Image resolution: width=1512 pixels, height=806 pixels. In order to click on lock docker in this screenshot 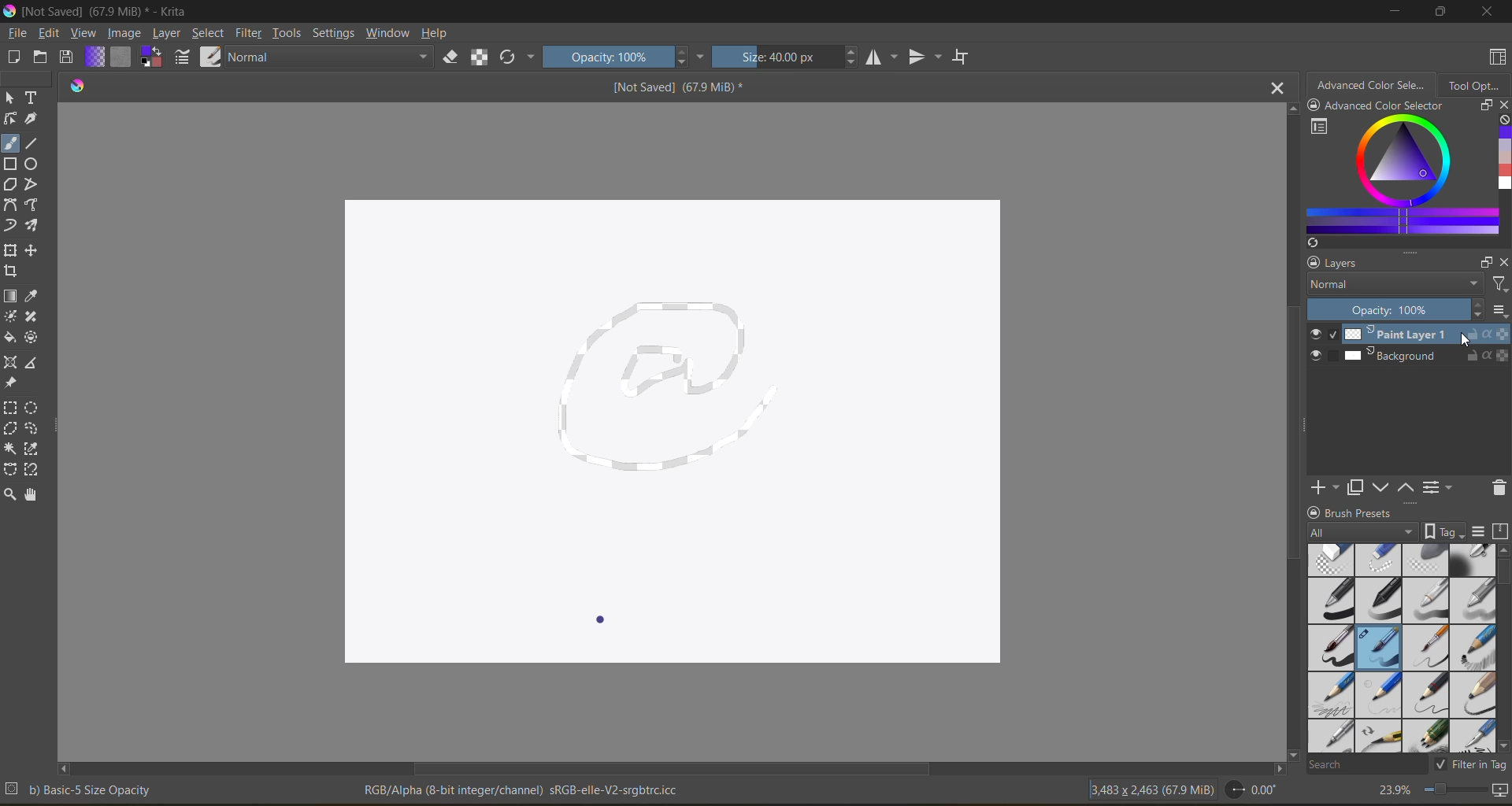, I will do `click(1312, 262)`.